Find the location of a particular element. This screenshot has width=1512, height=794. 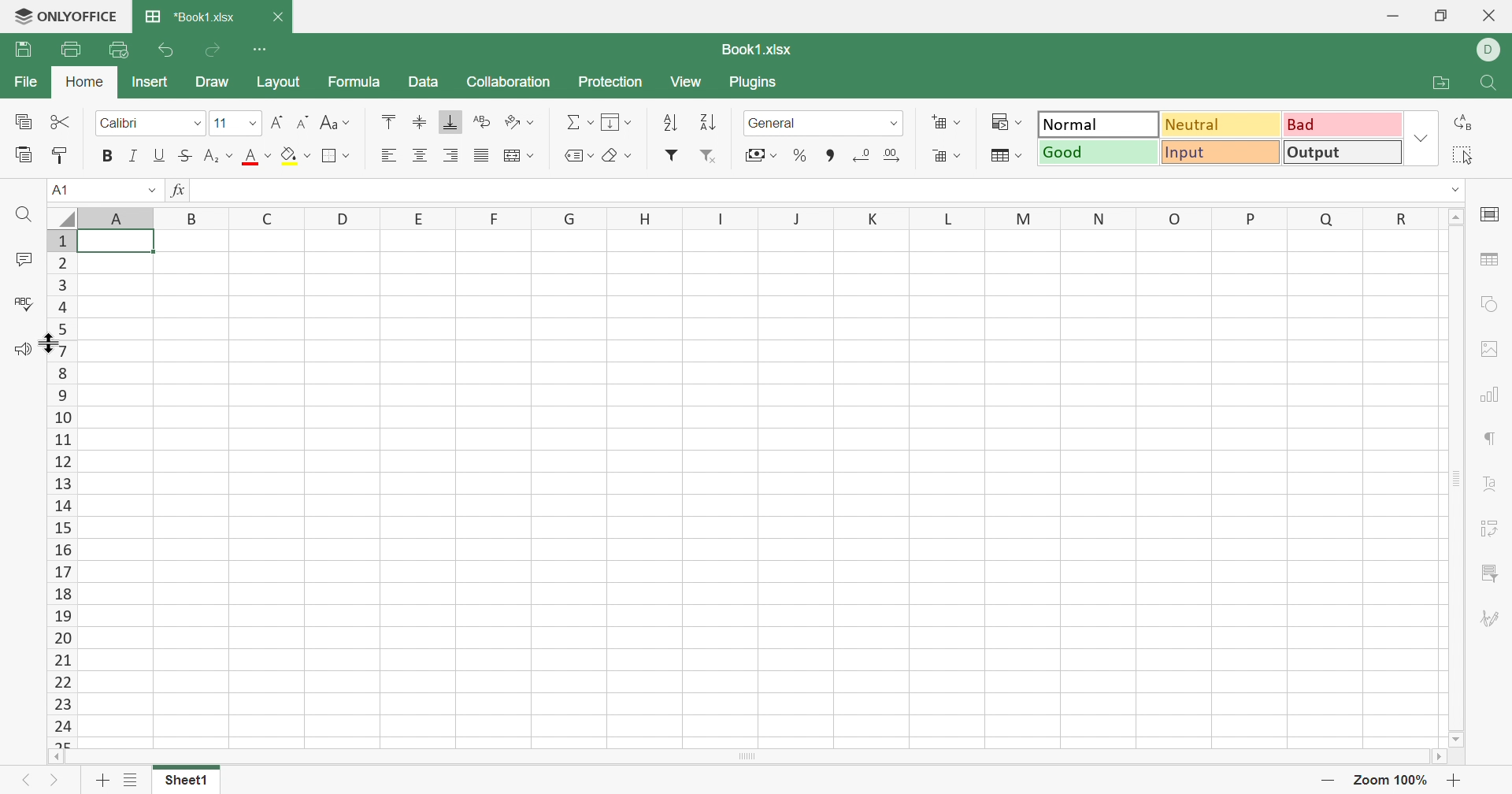

Wrap Text is located at coordinates (484, 121).